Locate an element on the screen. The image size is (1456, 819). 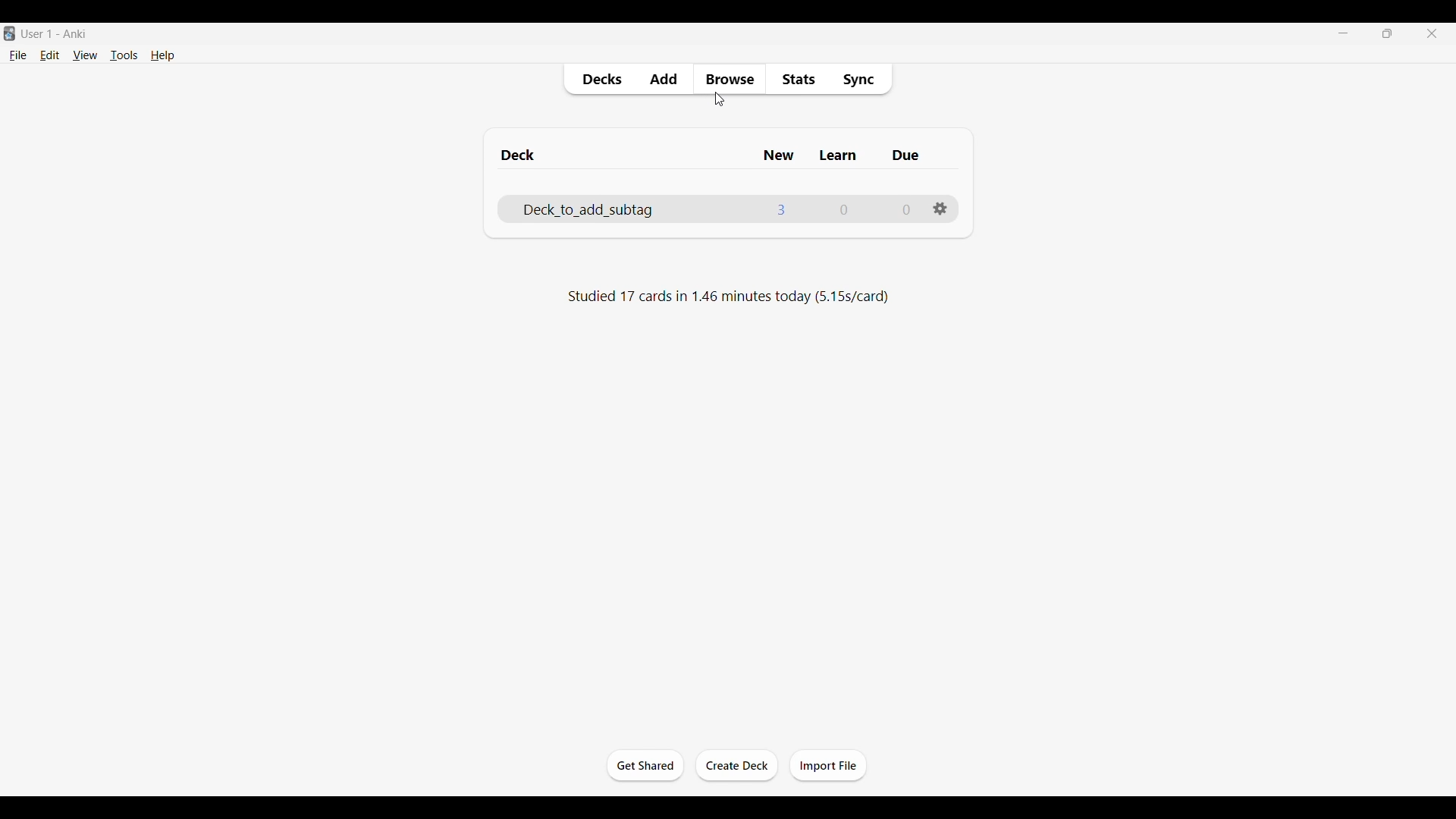
Help menu is located at coordinates (162, 55).